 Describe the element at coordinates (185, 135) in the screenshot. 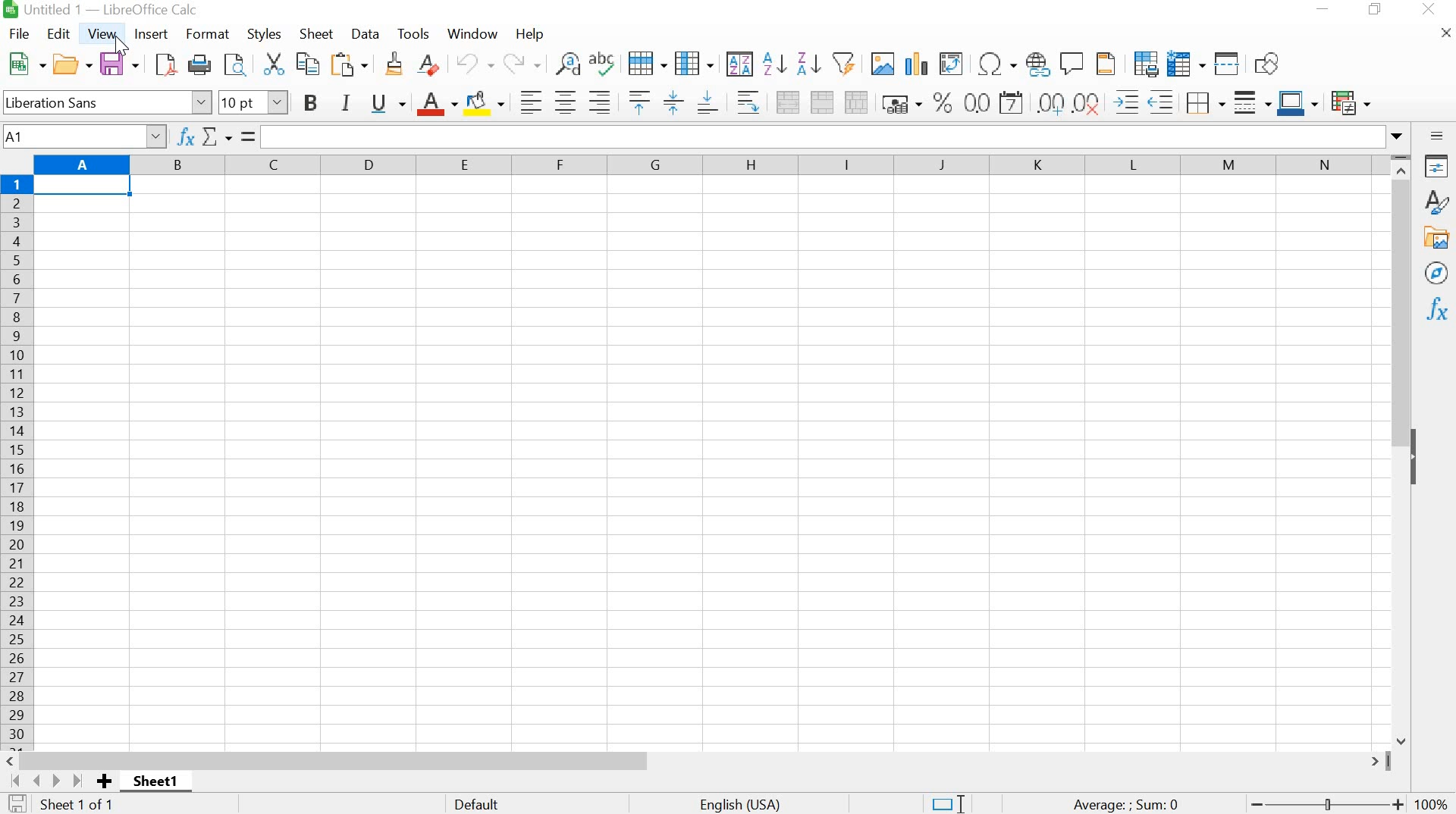

I see `FUNCTION WIZARD` at that location.